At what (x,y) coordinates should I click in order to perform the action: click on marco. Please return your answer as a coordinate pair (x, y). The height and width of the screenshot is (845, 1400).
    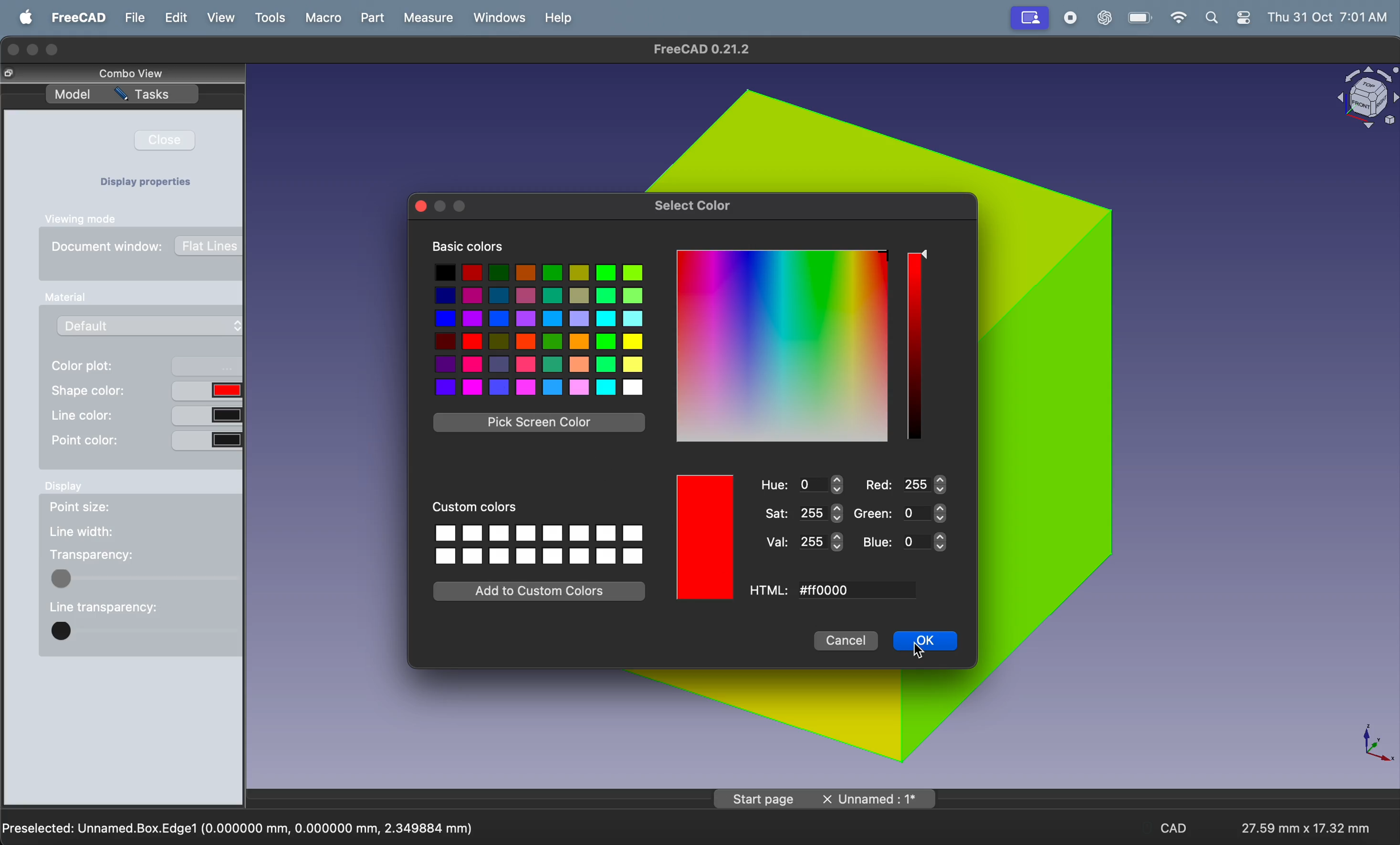
    Looking at the image, I should click on (322, 18).